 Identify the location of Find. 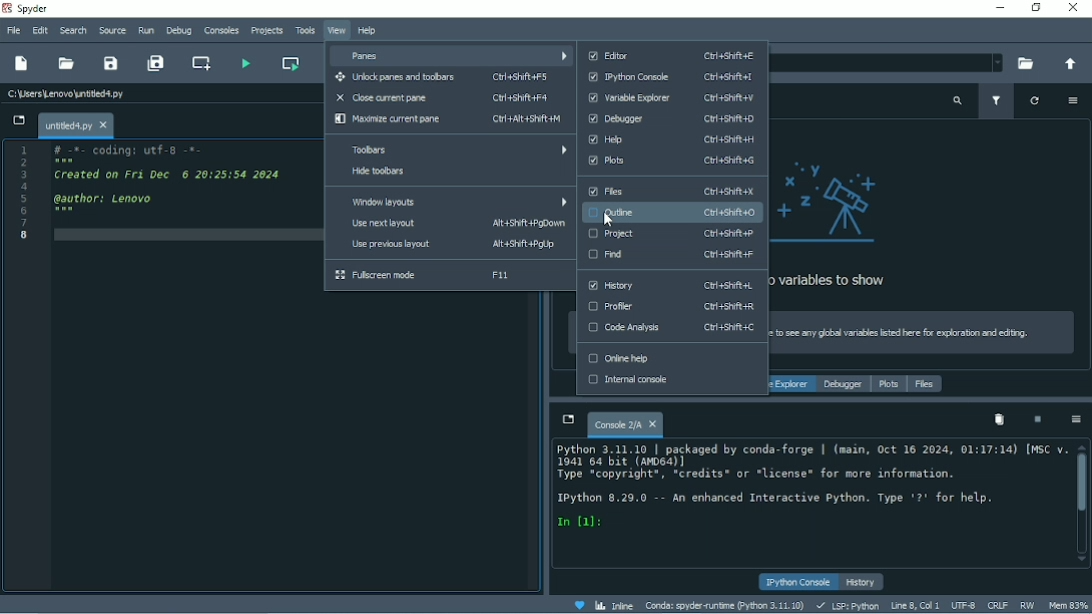
(674, 255).